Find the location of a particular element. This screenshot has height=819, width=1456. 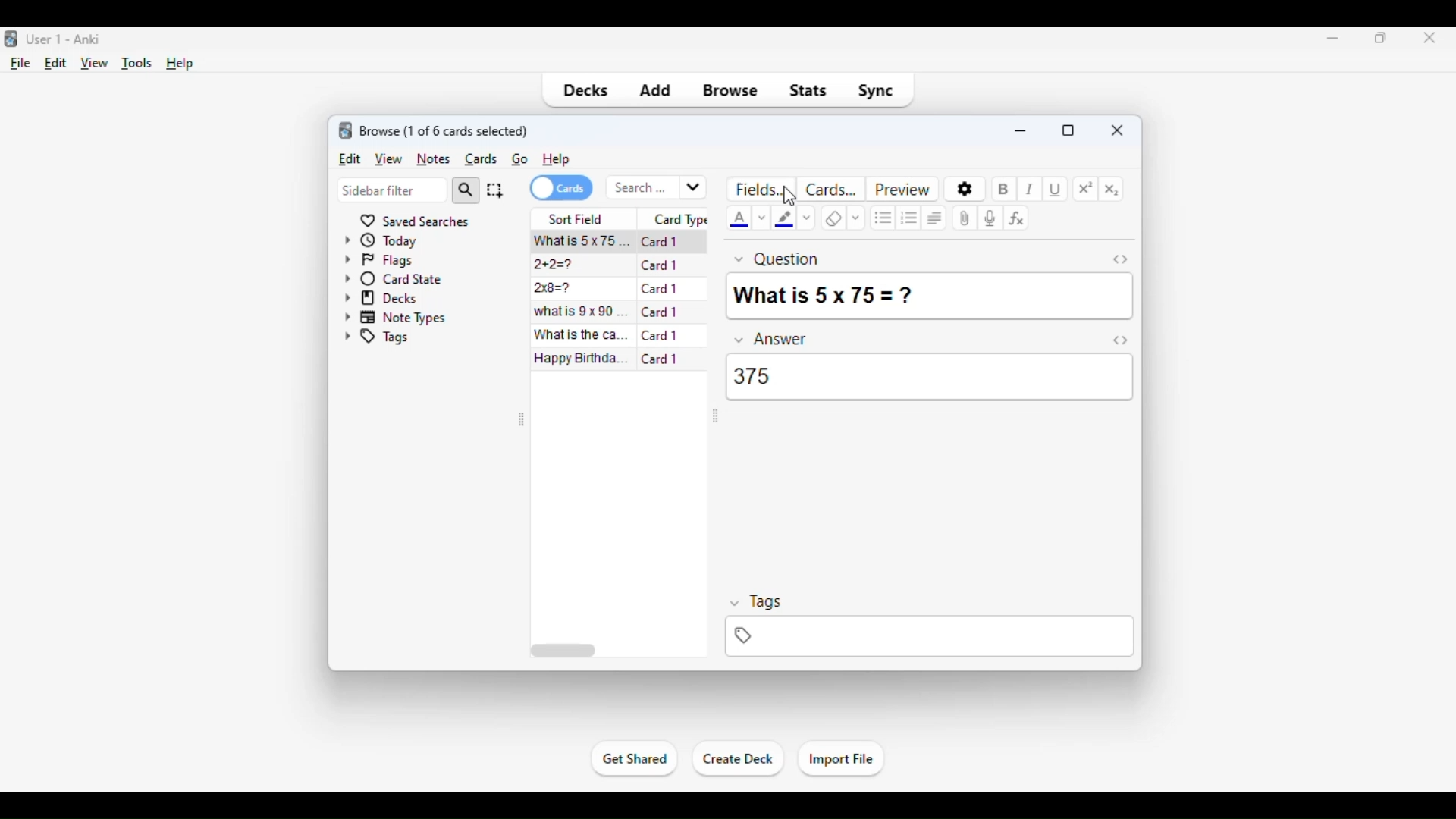

minimize is located at coordinates (1022, 129).